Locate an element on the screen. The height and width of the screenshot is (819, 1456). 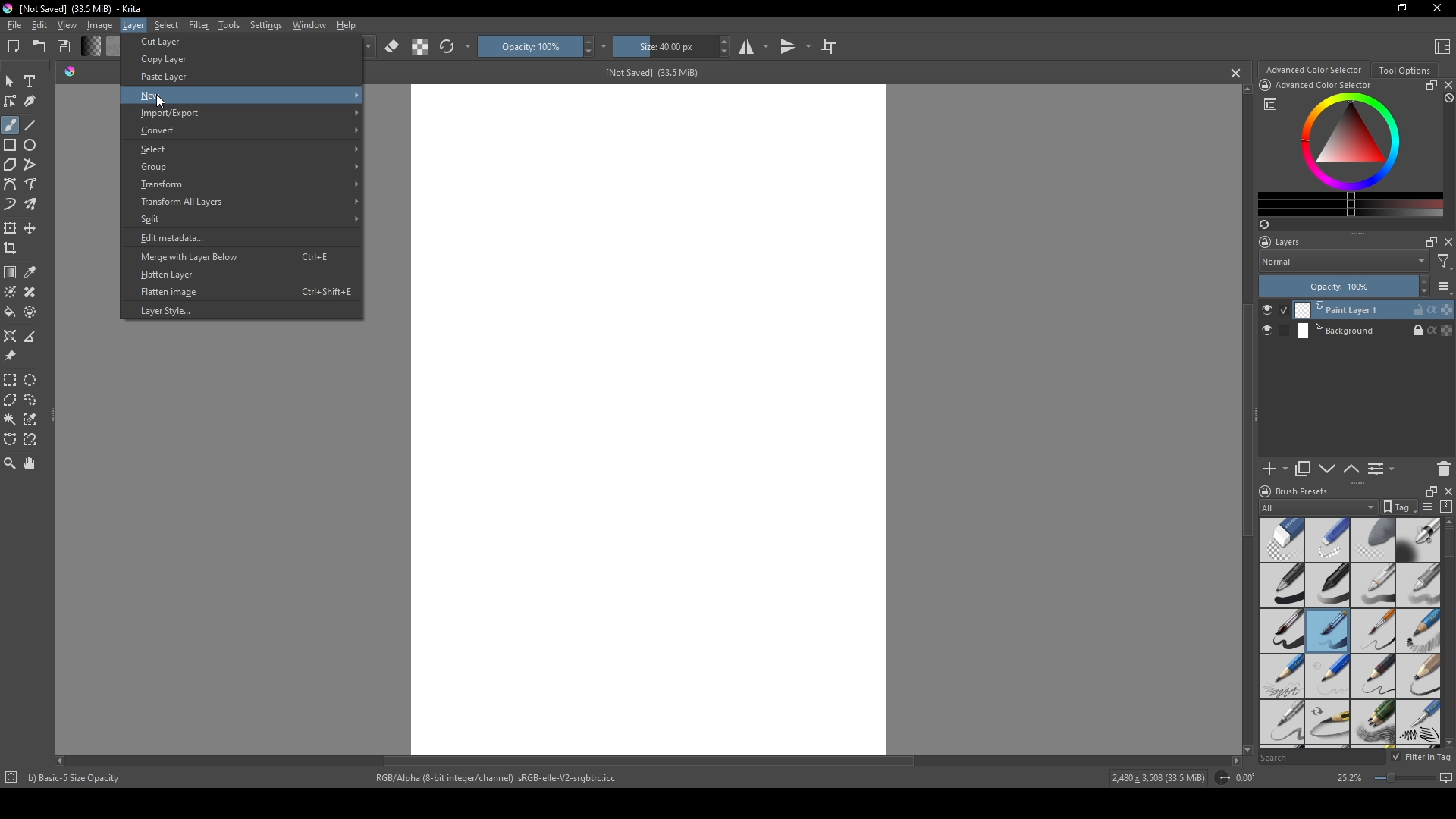
resize is located at coordinates (1429, 85).